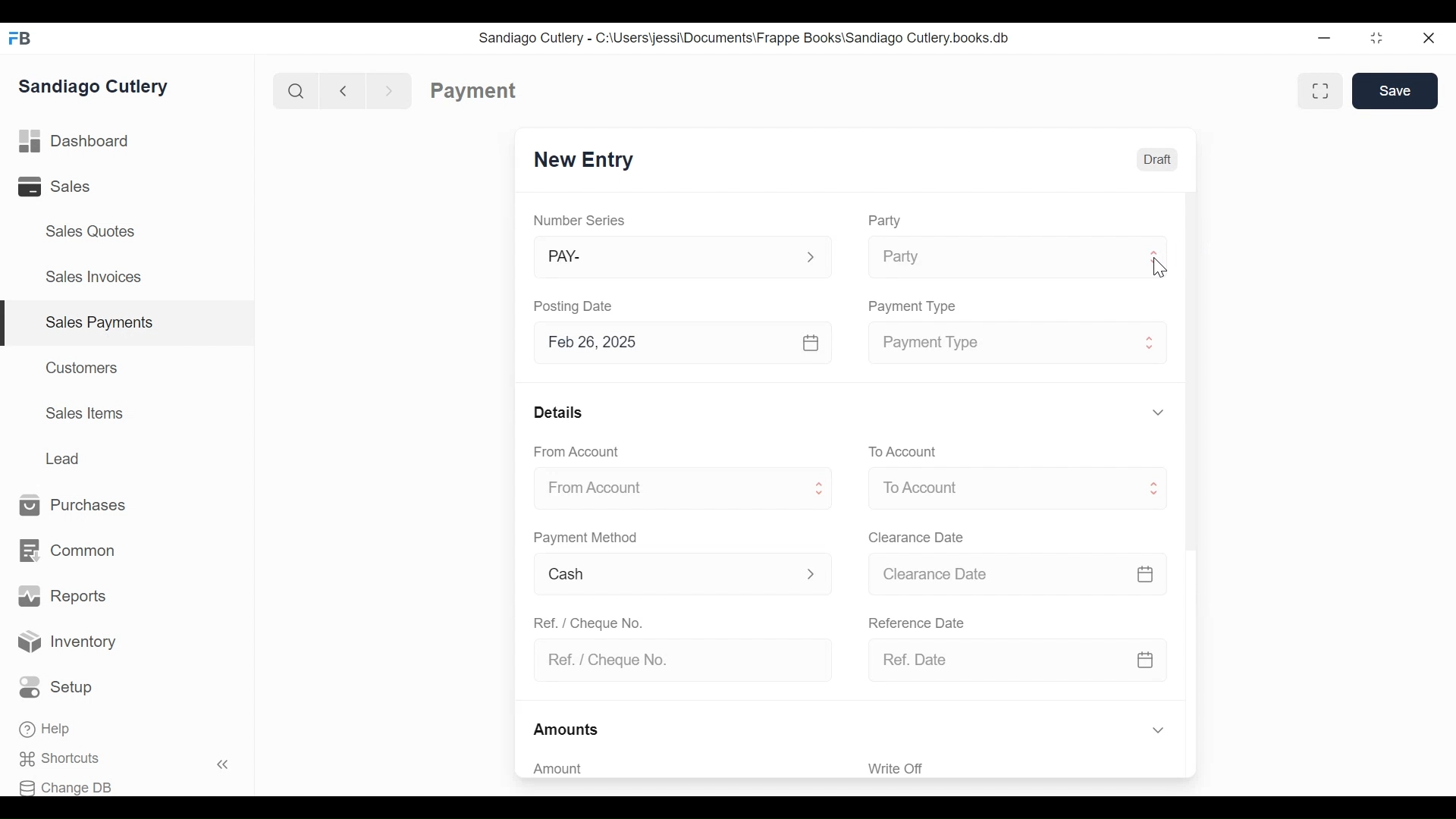 This screenshot has height=819, width=1456. What do you see at coordinates (1156, 158) in the screenshot?
I see `Draft` at bounding box center [1156, 158].